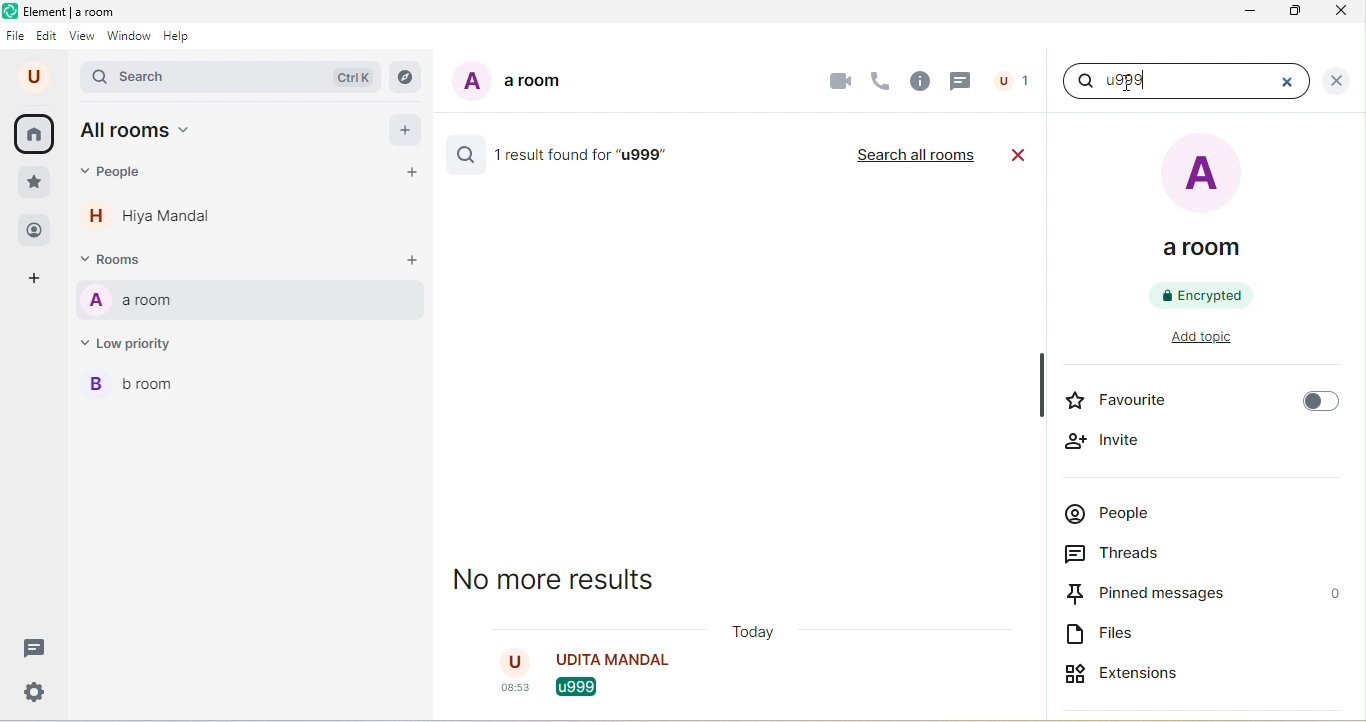 The image size is (1366, 722). Describe the element at coordinates (1107, 636) in the screenshot. I see `files` at that location.